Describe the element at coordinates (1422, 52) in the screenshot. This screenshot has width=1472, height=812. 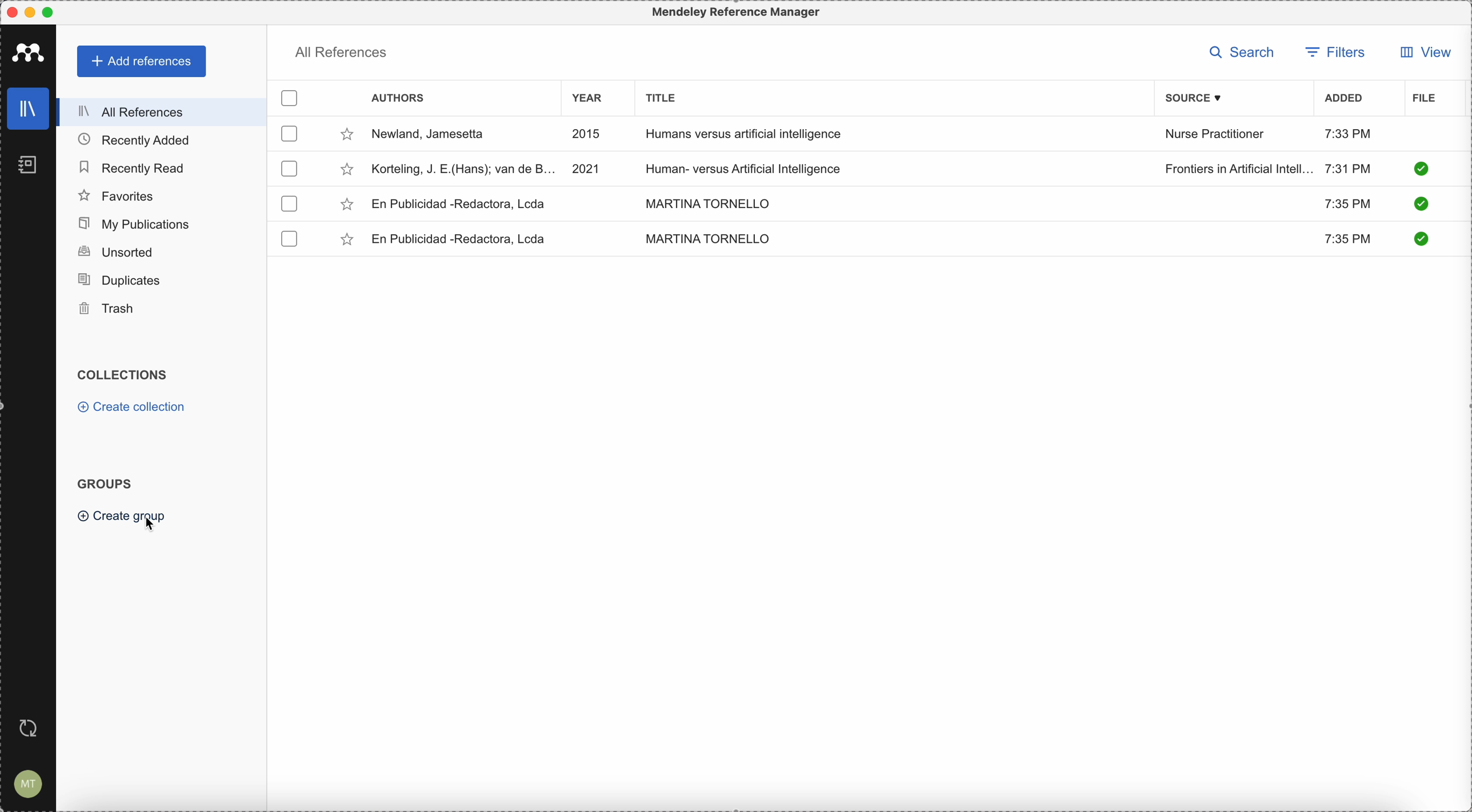
I see `view` at that location.